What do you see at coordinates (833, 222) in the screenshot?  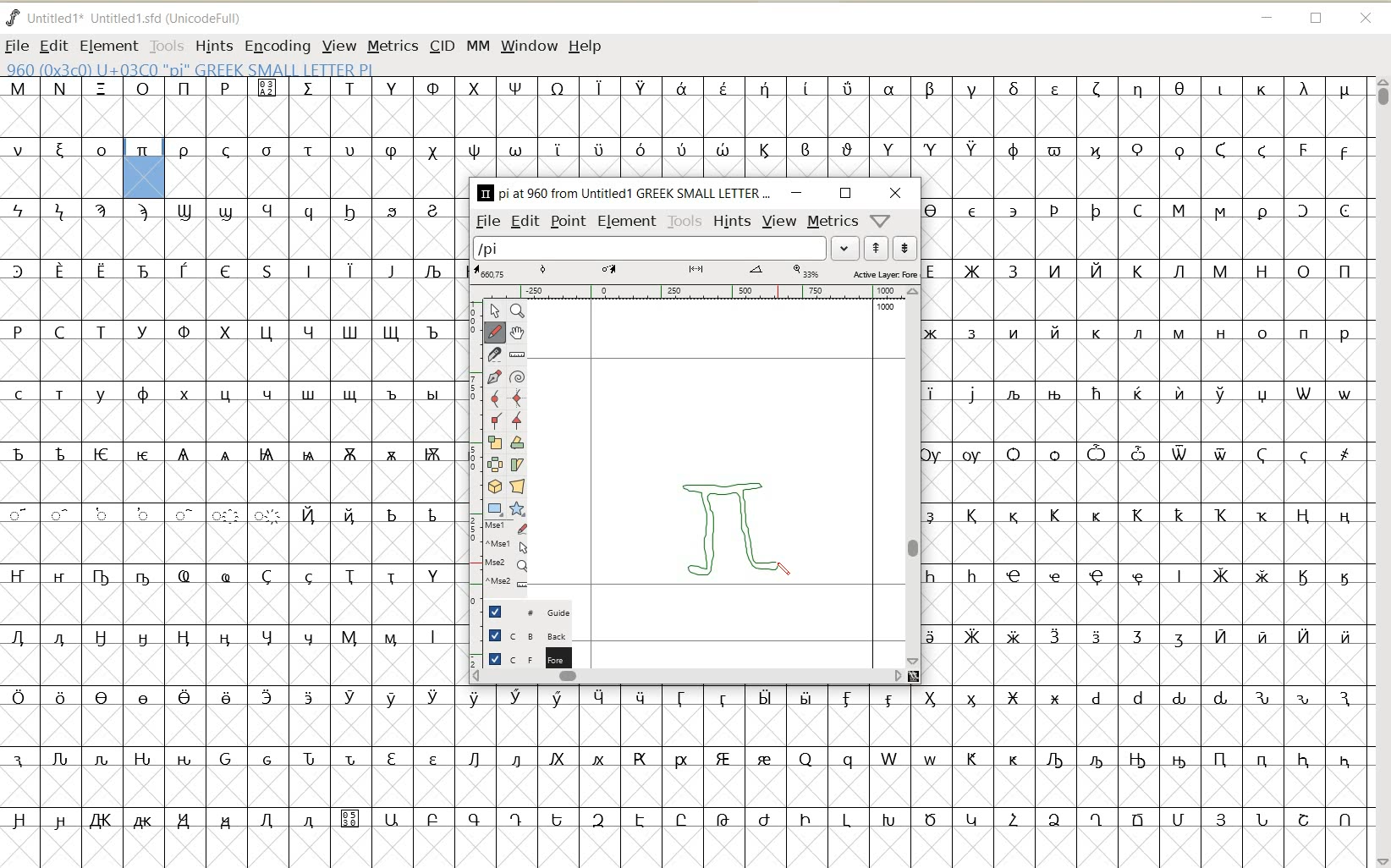 I see `metrics` at bounding box center [833, 222].